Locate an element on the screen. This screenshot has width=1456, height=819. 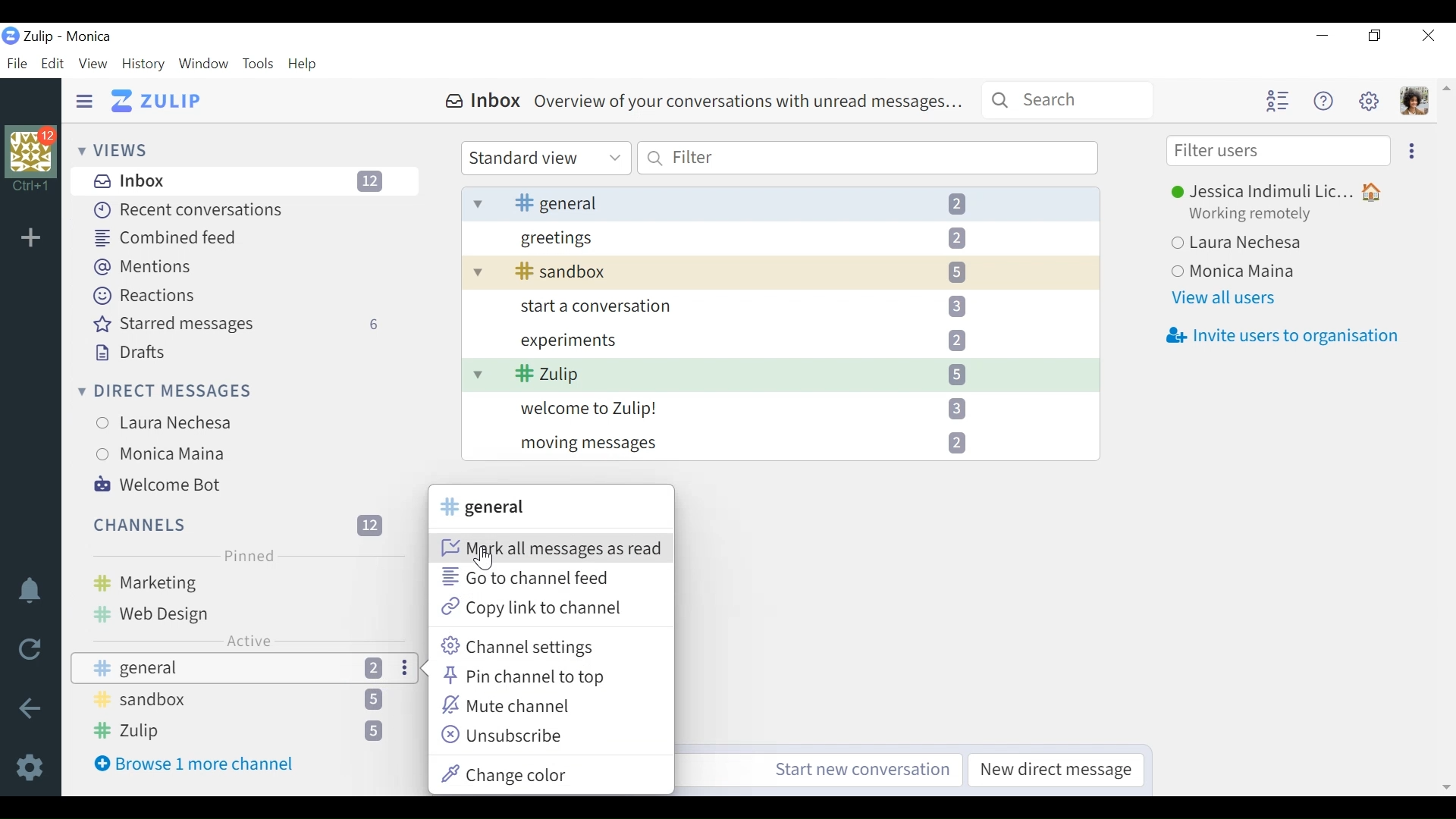
Mentions is located at coordinates (144, 268).